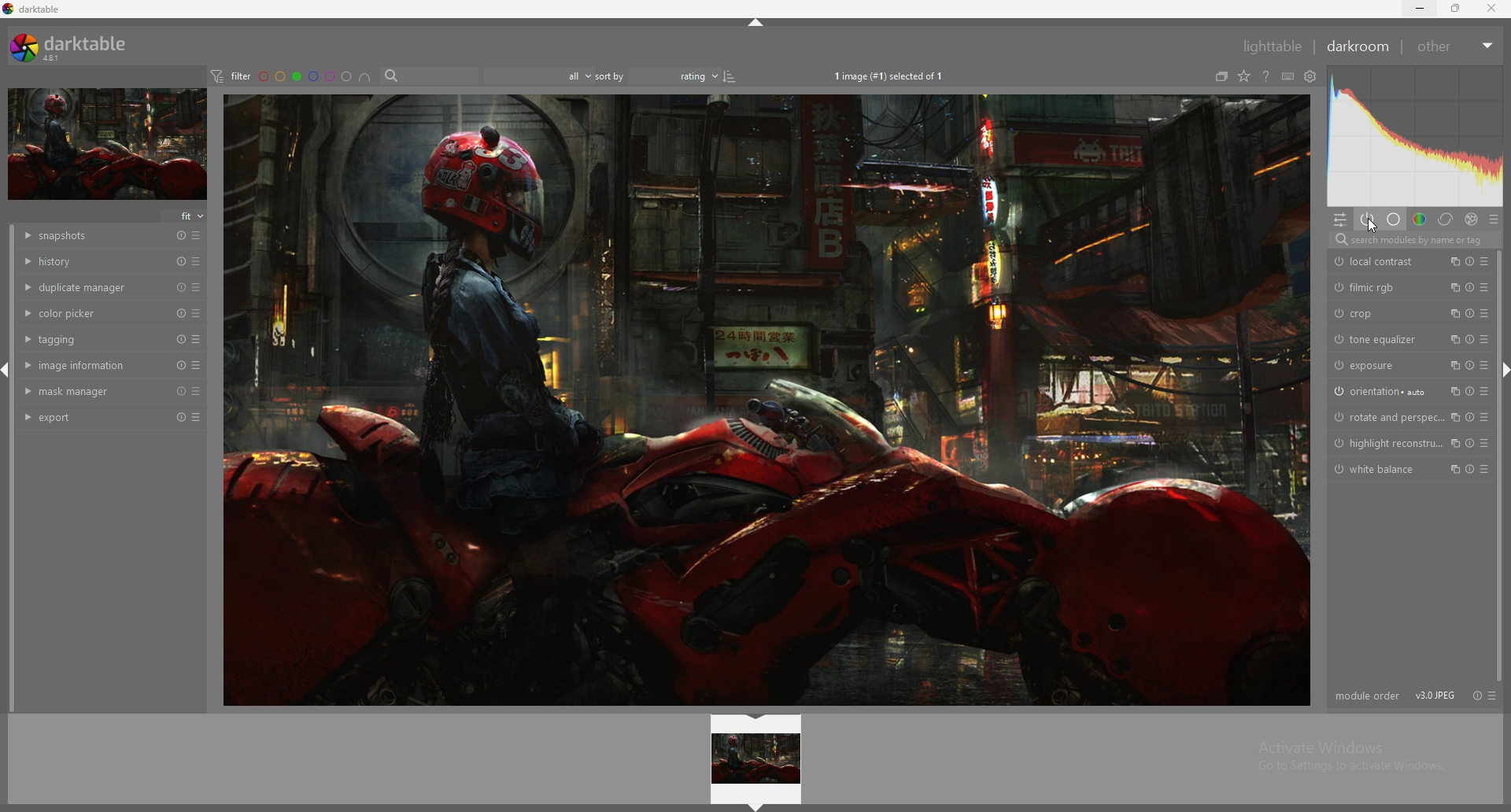  Describe the element at coordinates (427, 75) in the screenshot. I see `search bar` at that location.